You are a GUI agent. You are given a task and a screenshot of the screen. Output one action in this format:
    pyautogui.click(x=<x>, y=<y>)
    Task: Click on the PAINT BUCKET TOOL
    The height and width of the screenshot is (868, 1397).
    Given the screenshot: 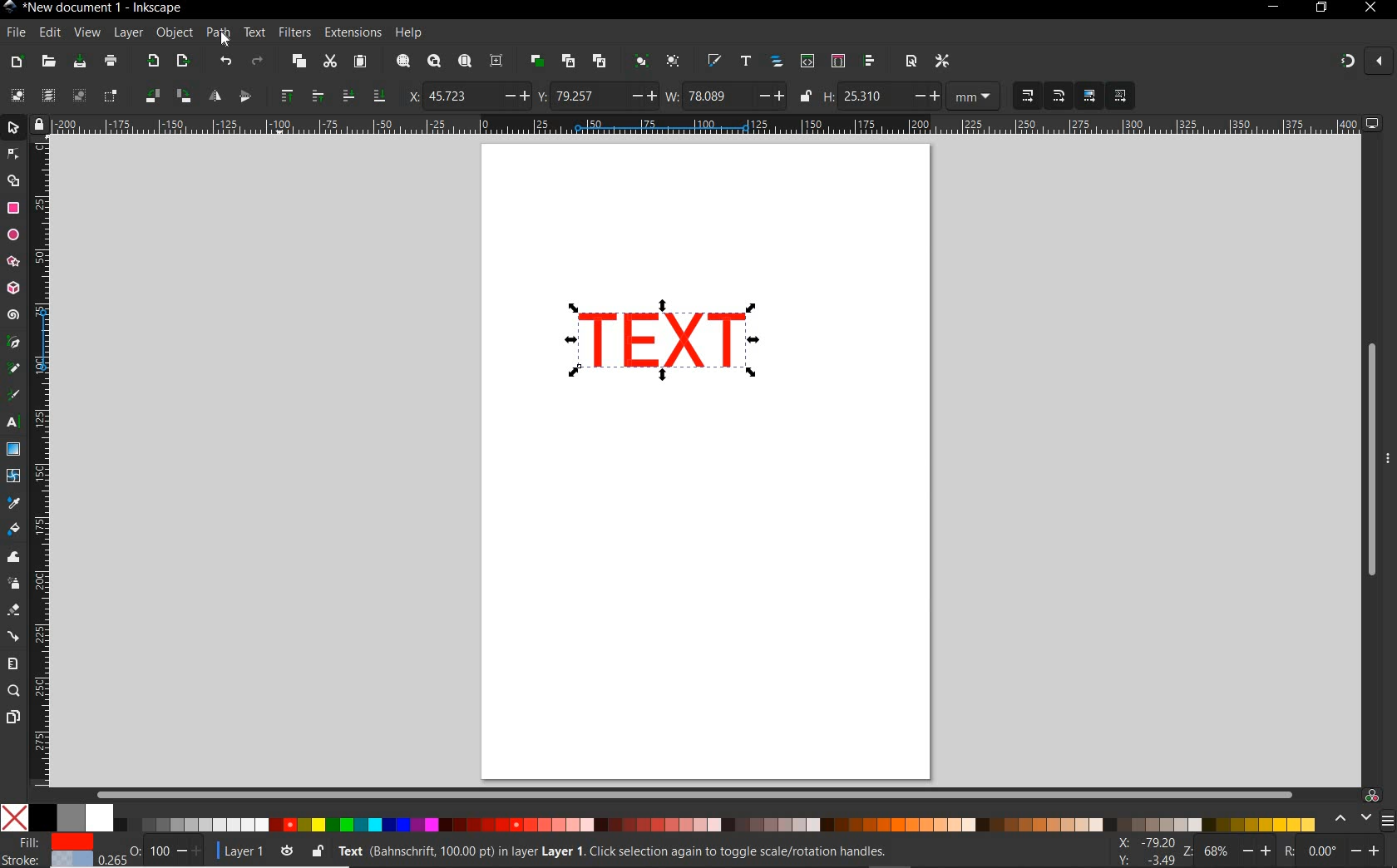 What is the action you would take?
    pyautogui.click(x=13, y=530)
    